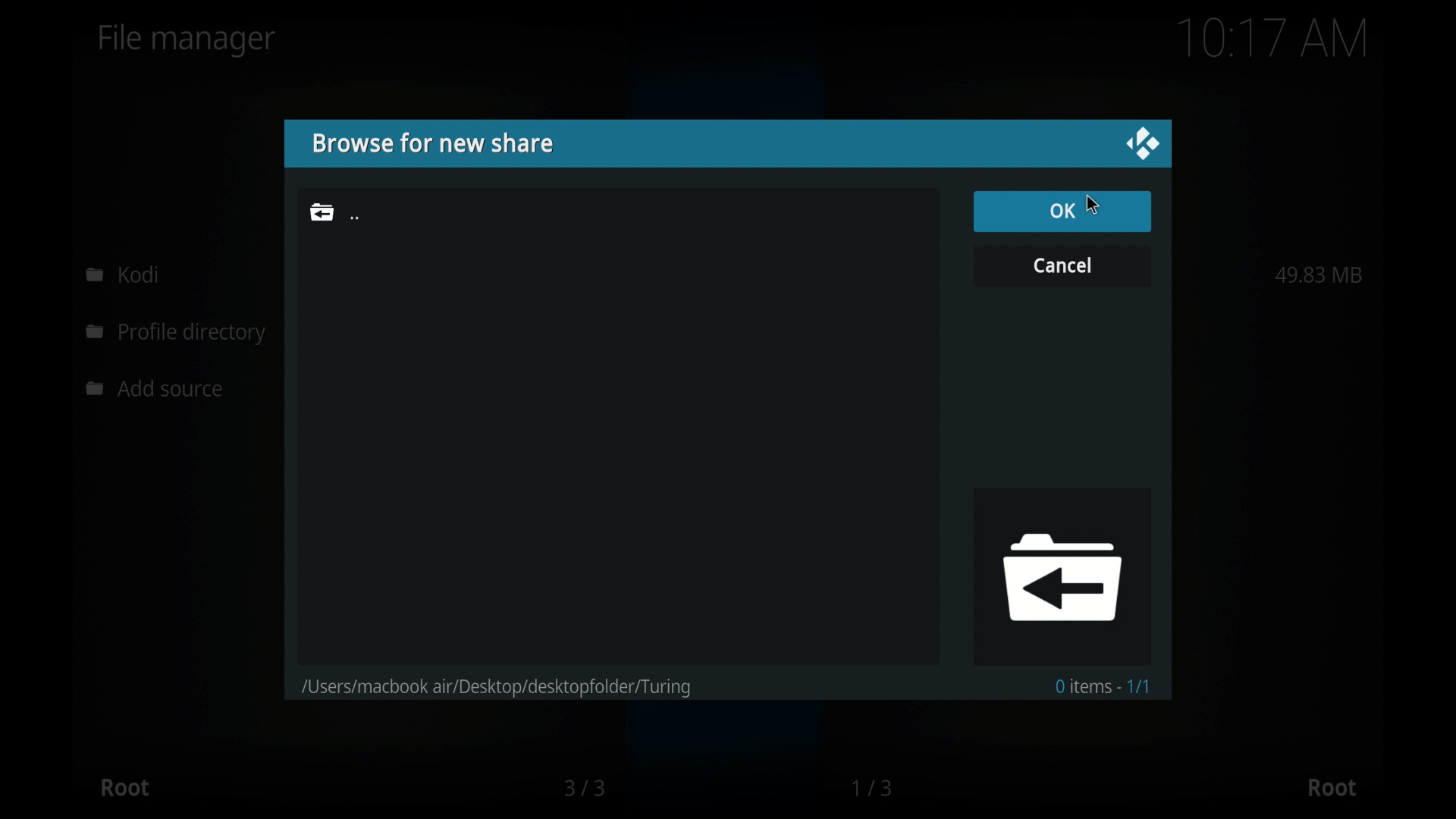 The height and width of the screenshot is (819, 1456). I want to click on file manager, so click(187, 40).